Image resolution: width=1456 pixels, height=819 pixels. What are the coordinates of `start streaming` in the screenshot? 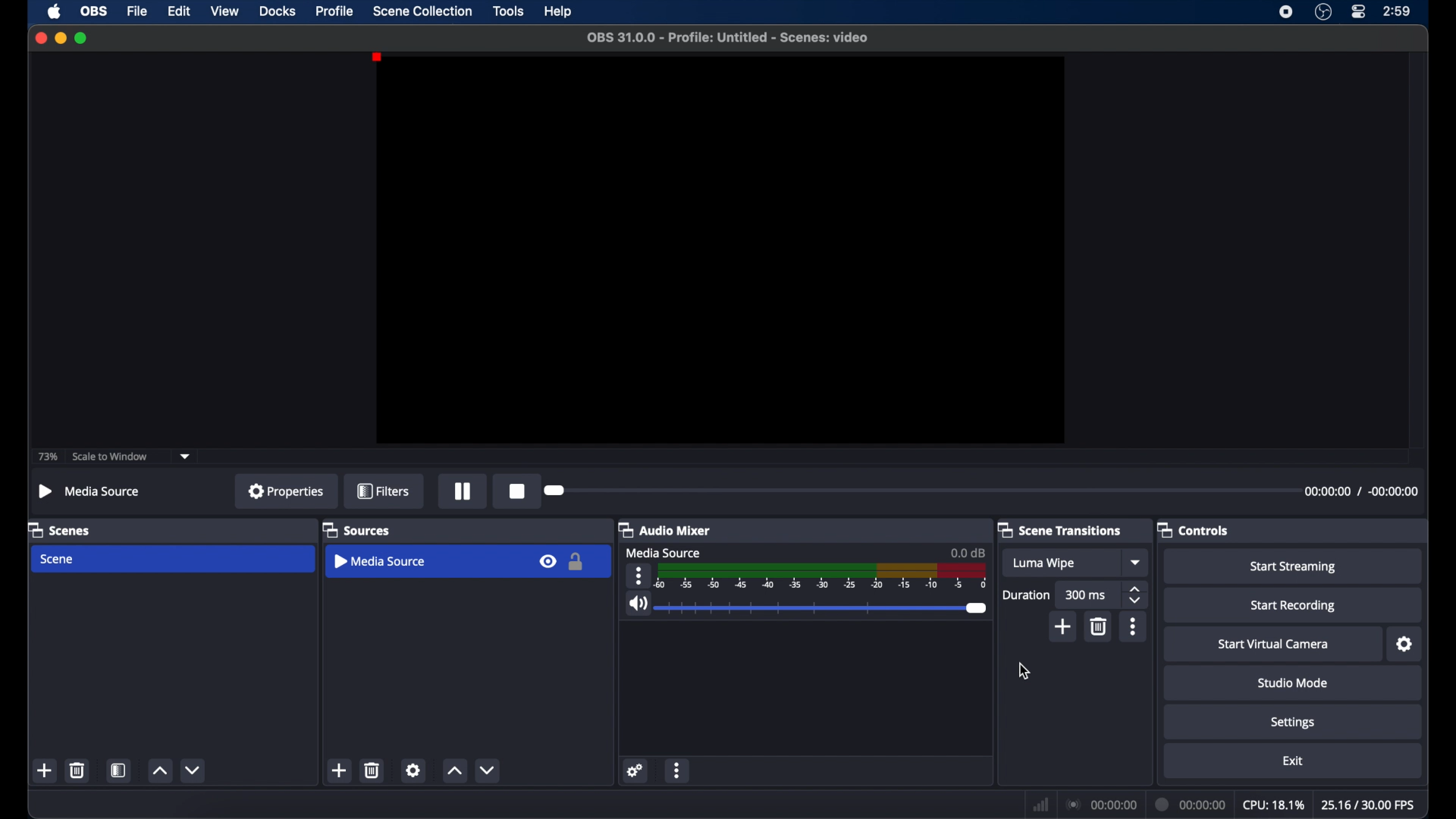 It's located at (1294, 566).